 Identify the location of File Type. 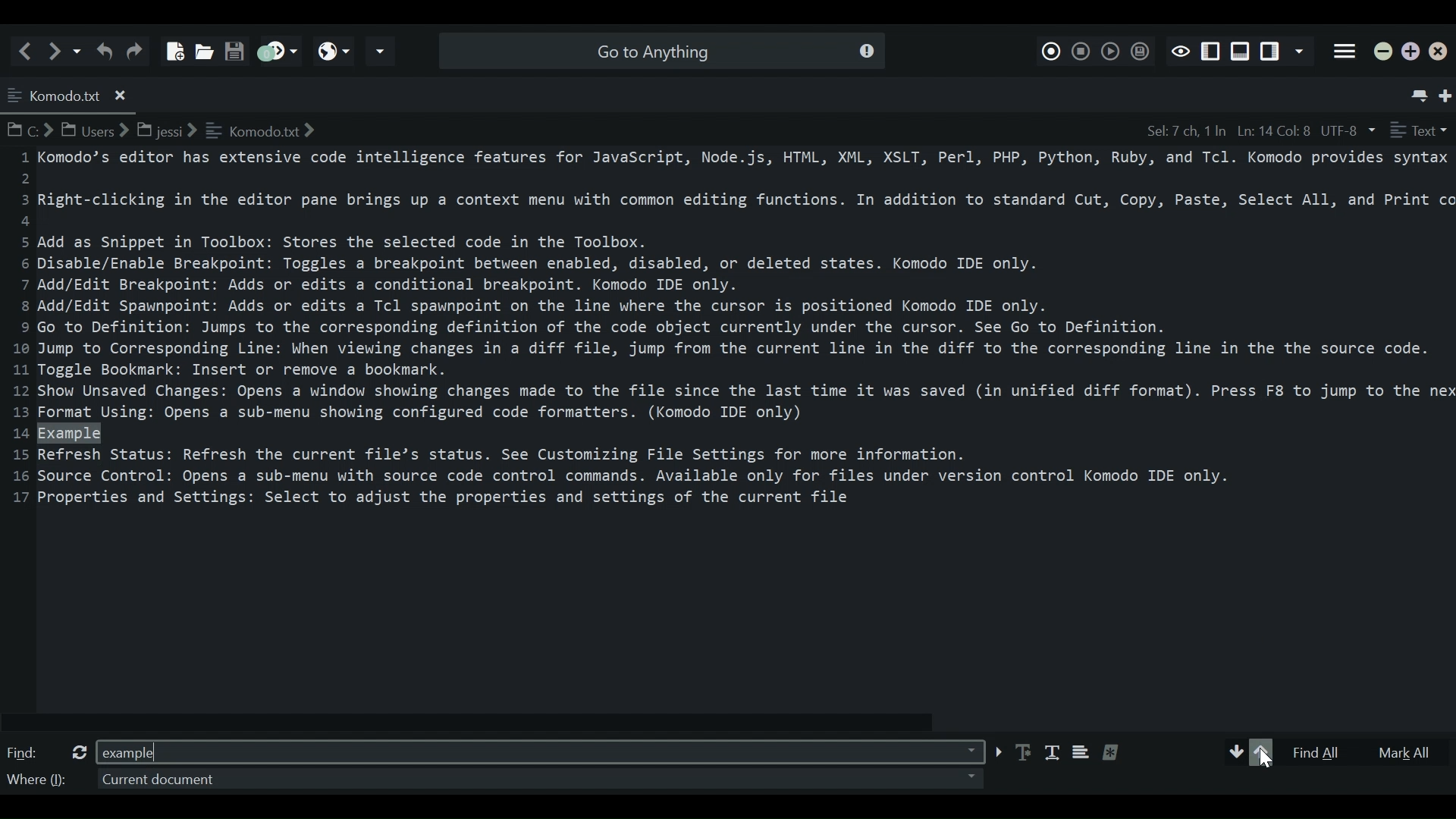
(1419, 130).